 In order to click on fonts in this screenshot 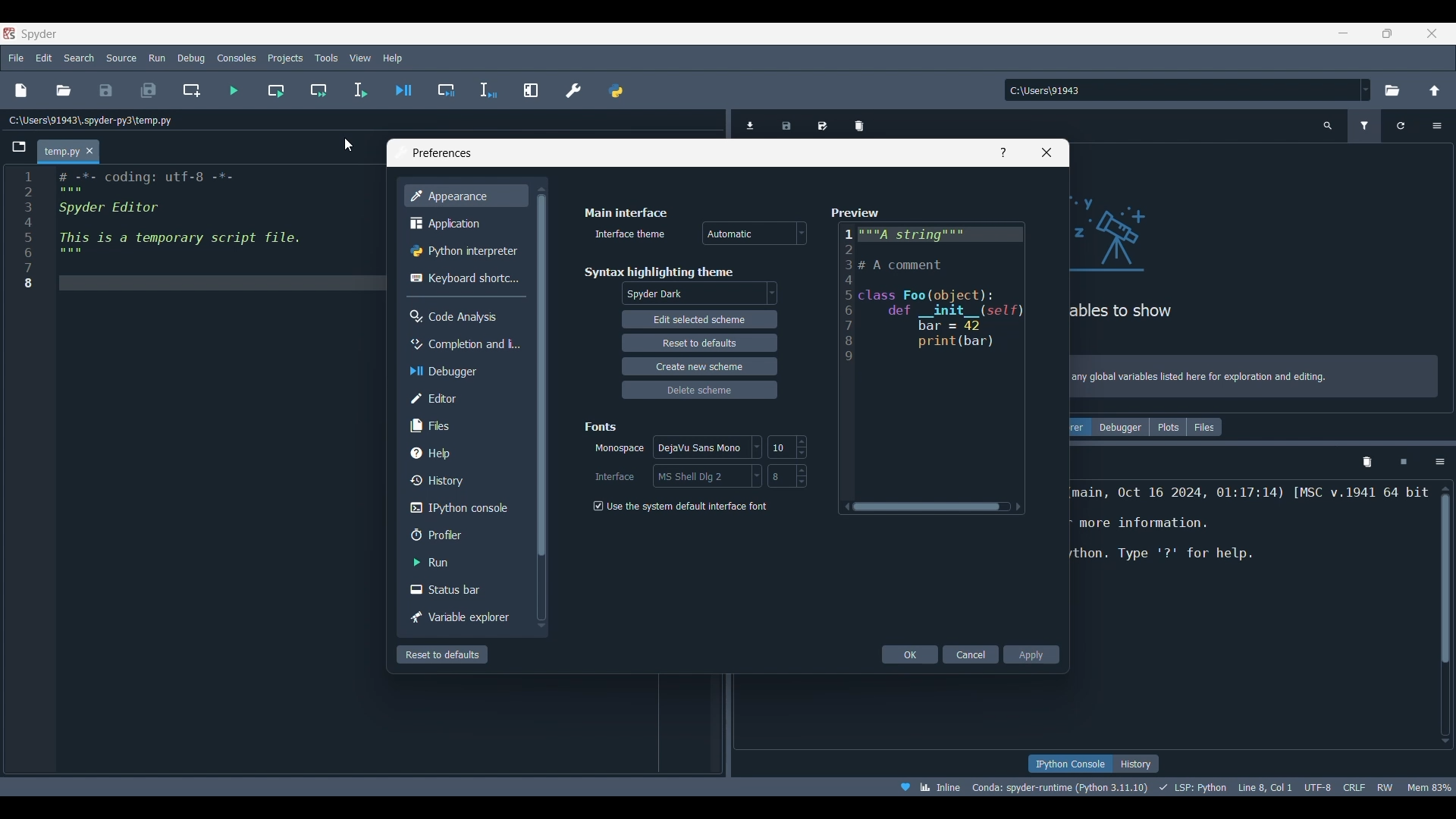, I will do `click(600, 426)`.